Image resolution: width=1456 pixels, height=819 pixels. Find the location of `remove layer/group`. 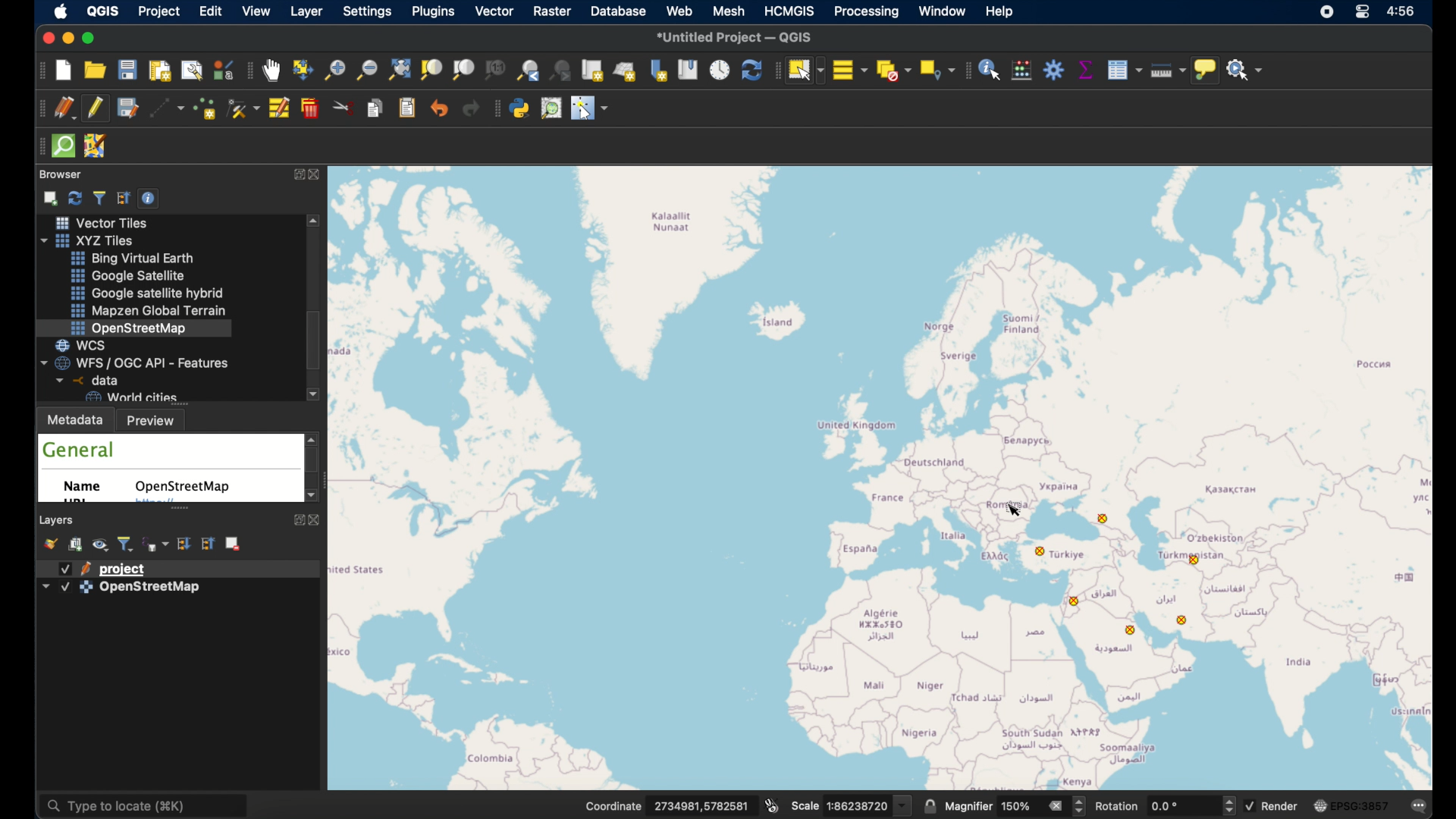

remove layer/group is located at coordinates (235, 544).